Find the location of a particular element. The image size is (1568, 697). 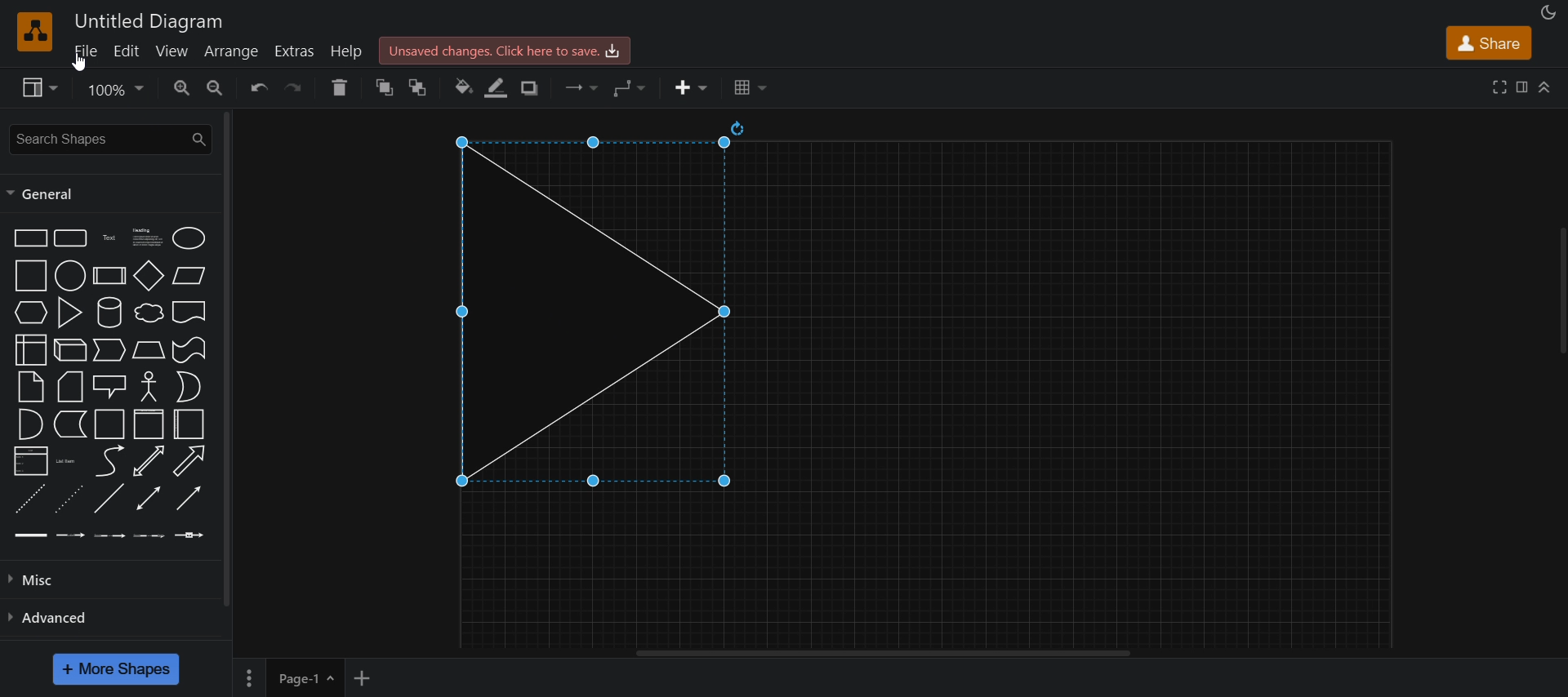

dotted line is located at coordinates (69, 499).